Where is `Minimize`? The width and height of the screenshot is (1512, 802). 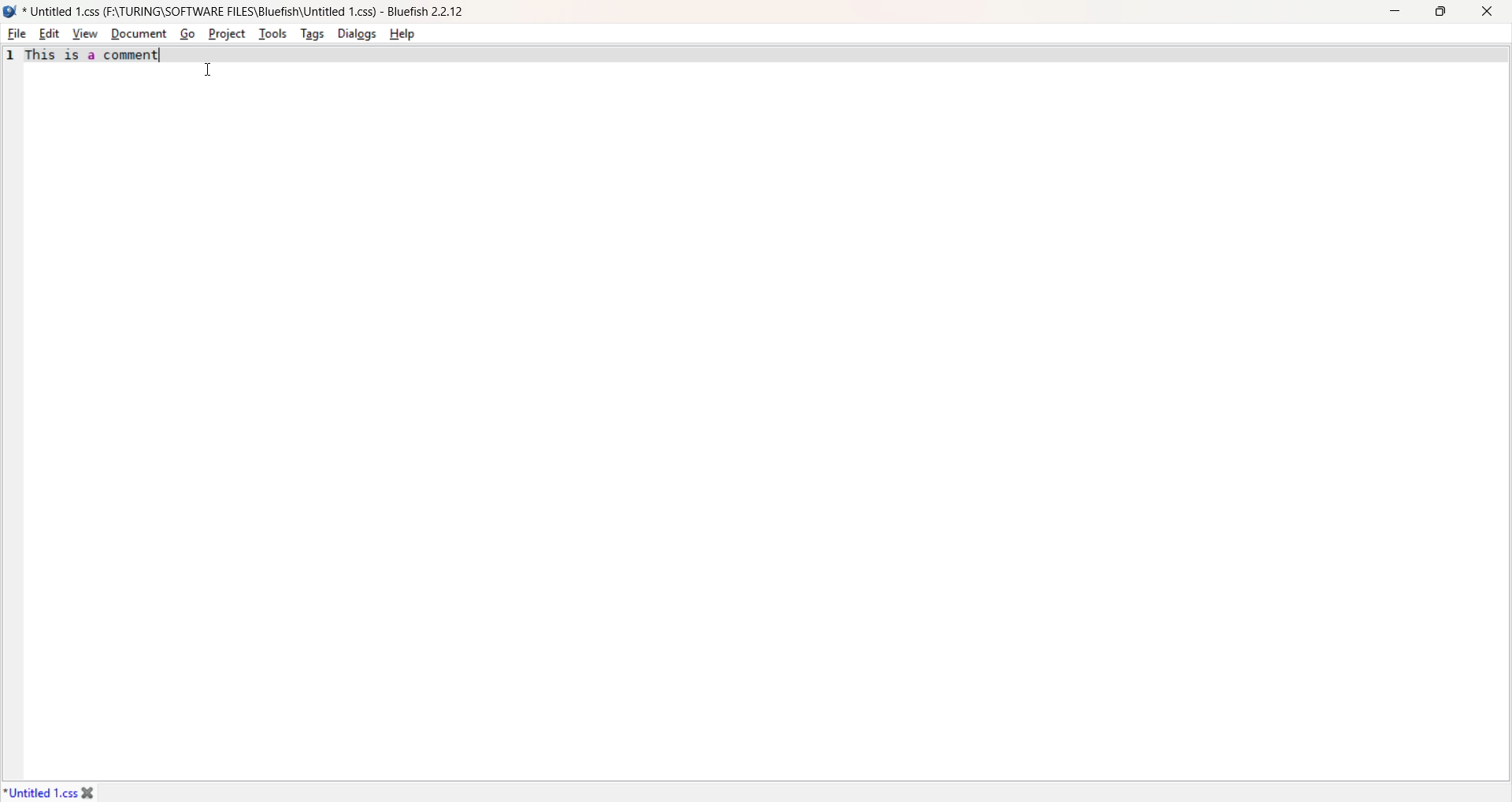
Minimize is located at coordinates (1396, 13).